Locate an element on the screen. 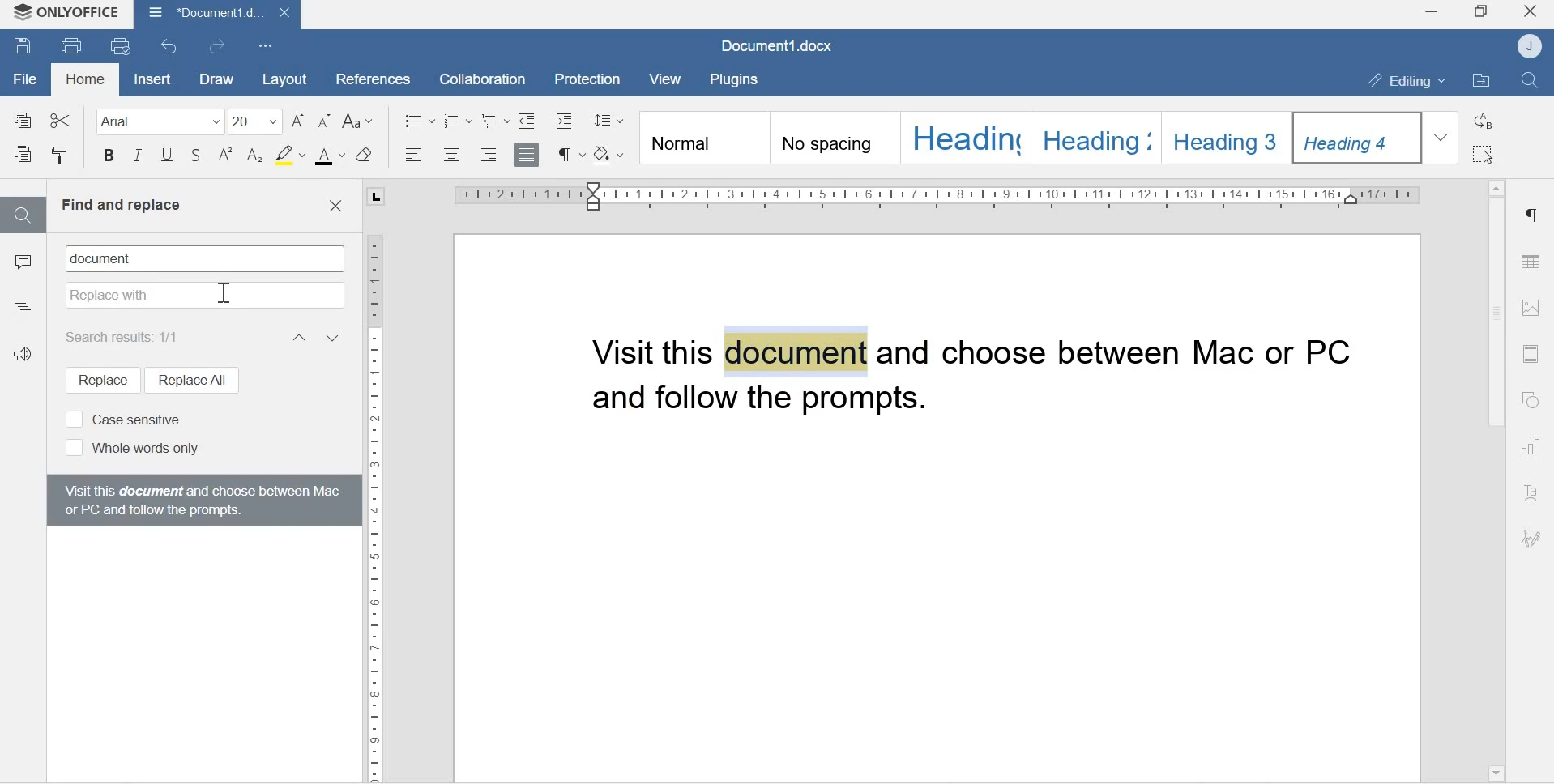 This screenshot has height=784, width=1554. Replace all is located at coordinates (190, 379).